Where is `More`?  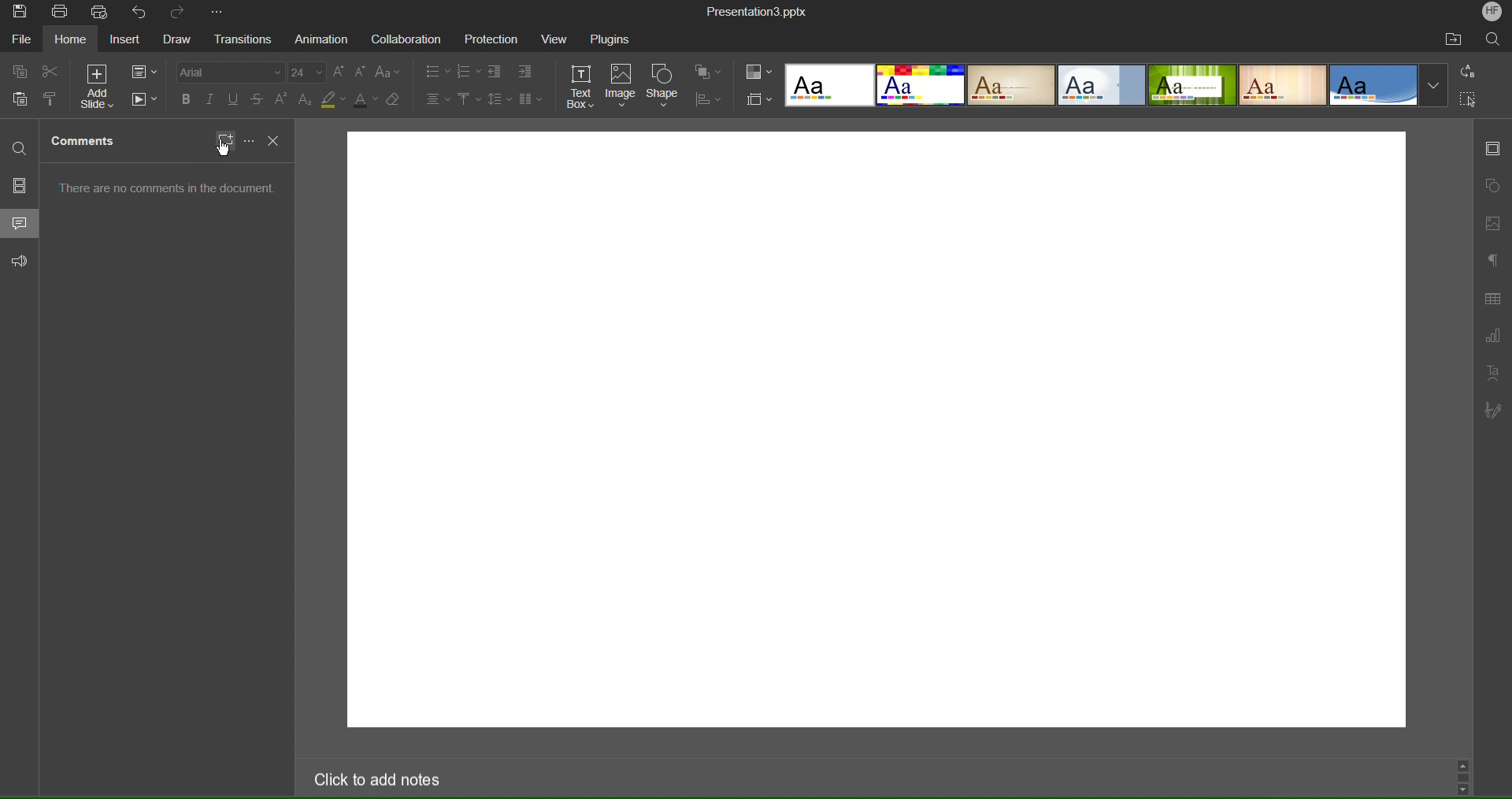
More is located at coordinates (246, 139).